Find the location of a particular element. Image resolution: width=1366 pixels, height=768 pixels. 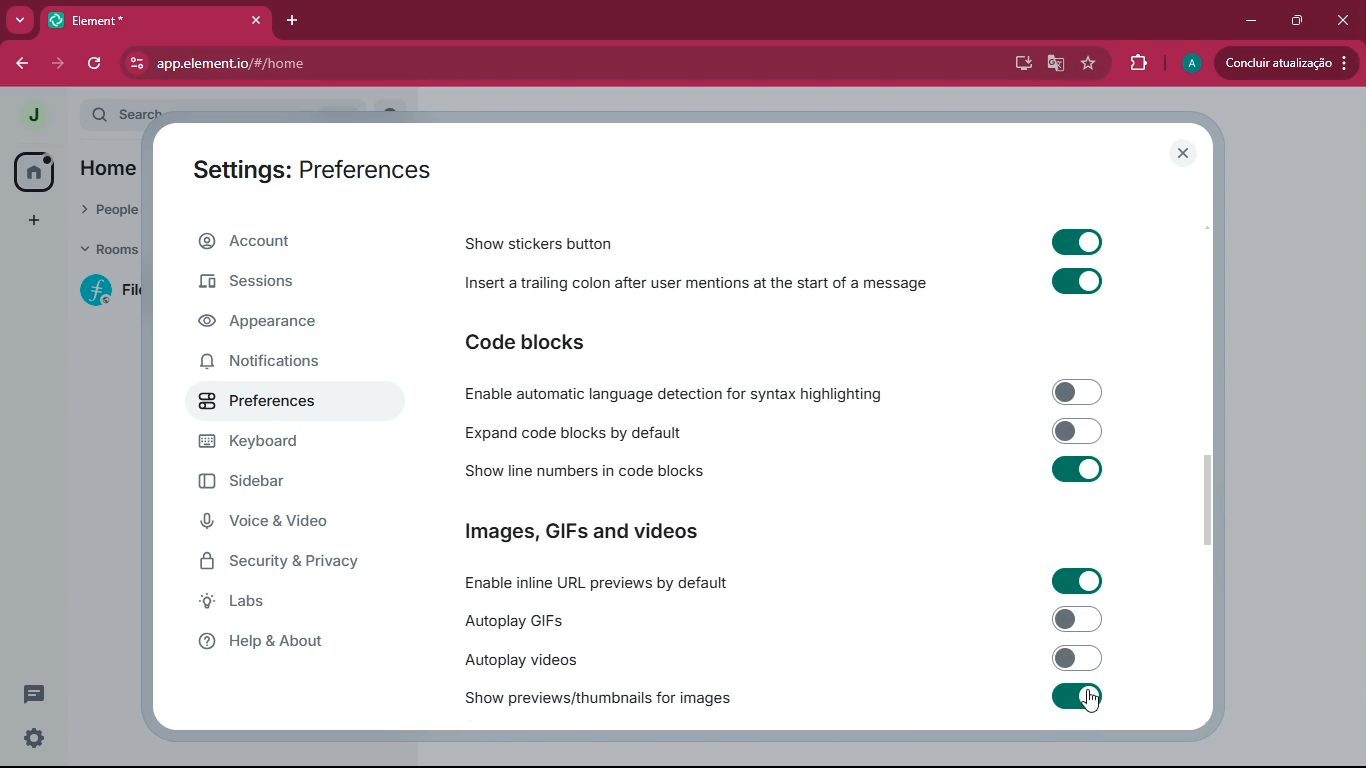

minimize is located at coordinates (1248, 21).